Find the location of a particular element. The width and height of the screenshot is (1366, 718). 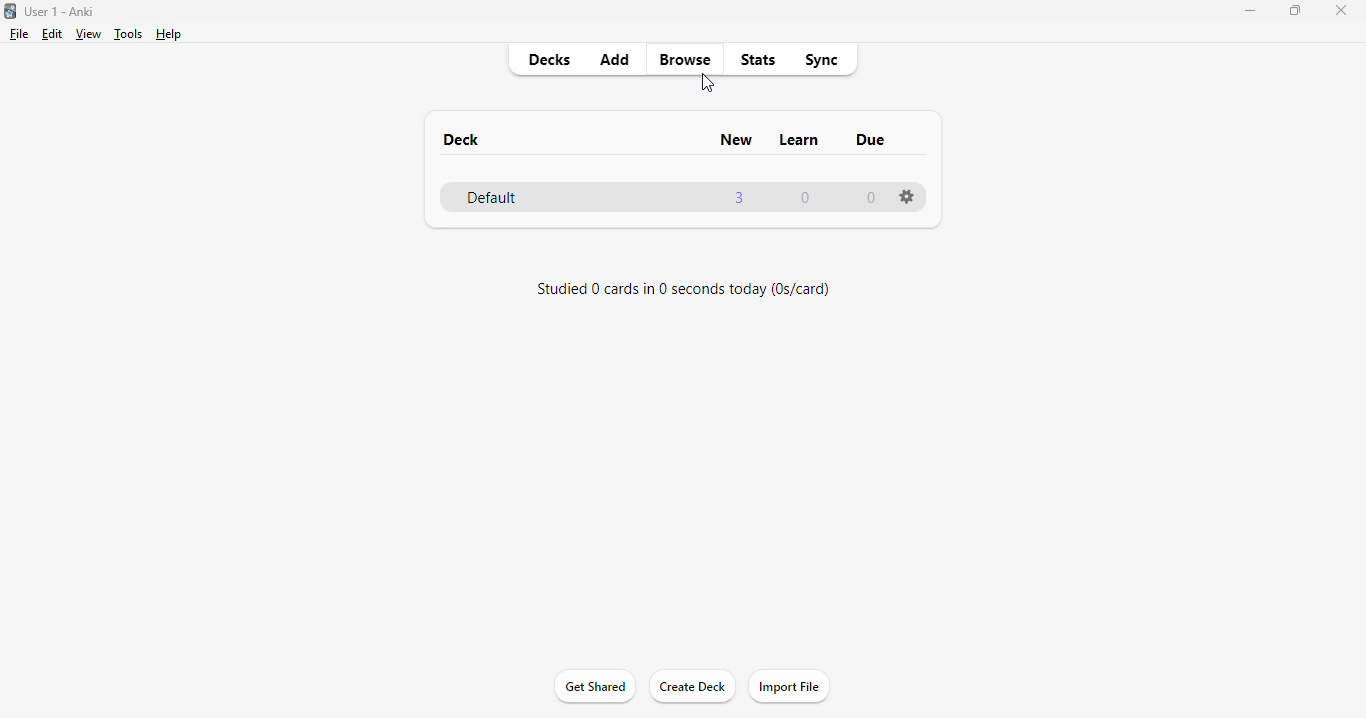

add is located at coordinates (616, 58).